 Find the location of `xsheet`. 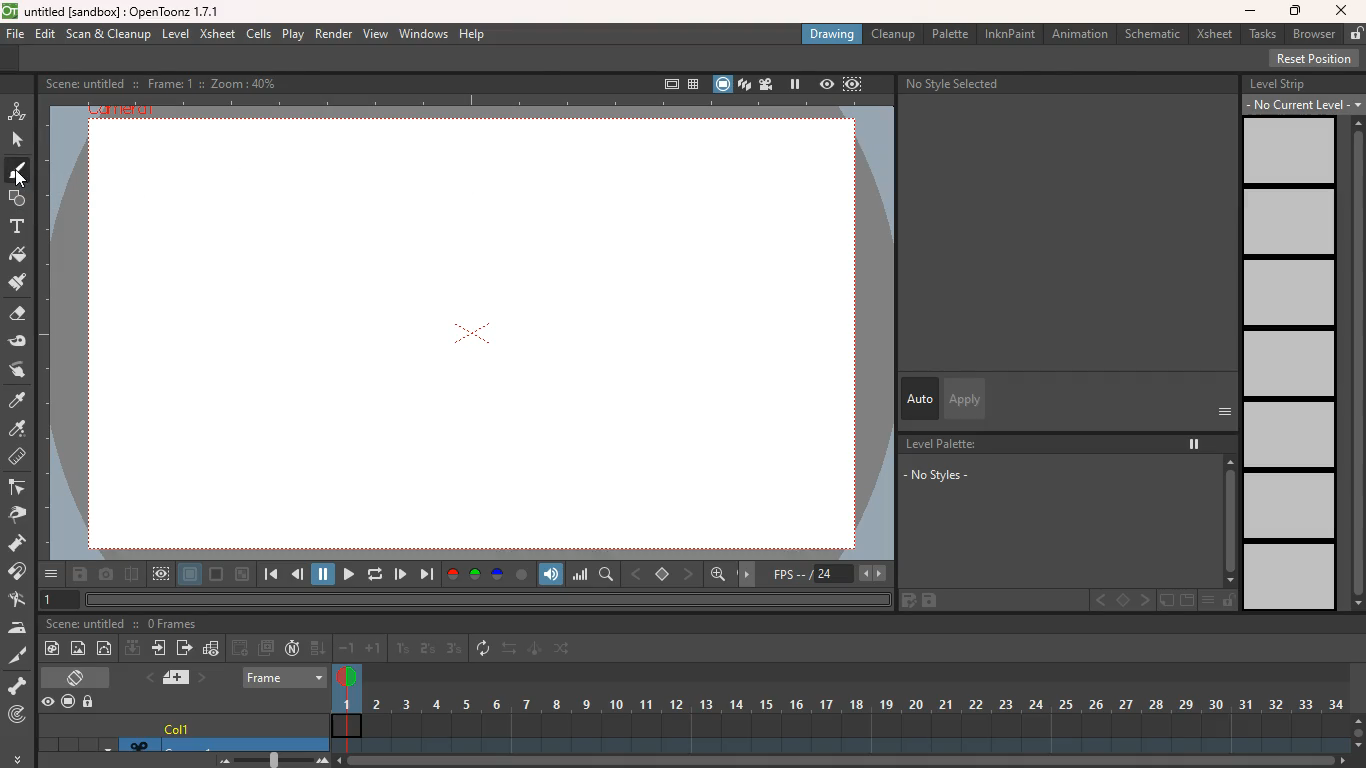

xsheet is located at coordinates (218, 35).